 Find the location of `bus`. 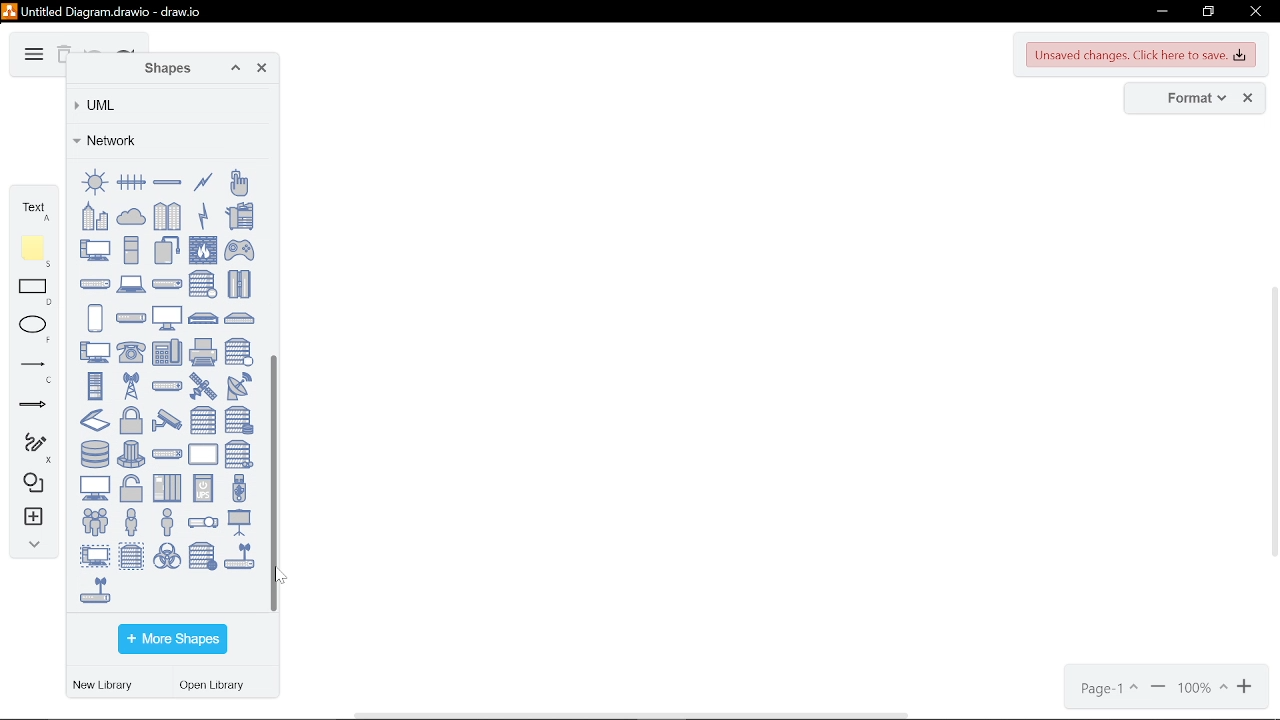

bus is located at coordinates (167, 182).